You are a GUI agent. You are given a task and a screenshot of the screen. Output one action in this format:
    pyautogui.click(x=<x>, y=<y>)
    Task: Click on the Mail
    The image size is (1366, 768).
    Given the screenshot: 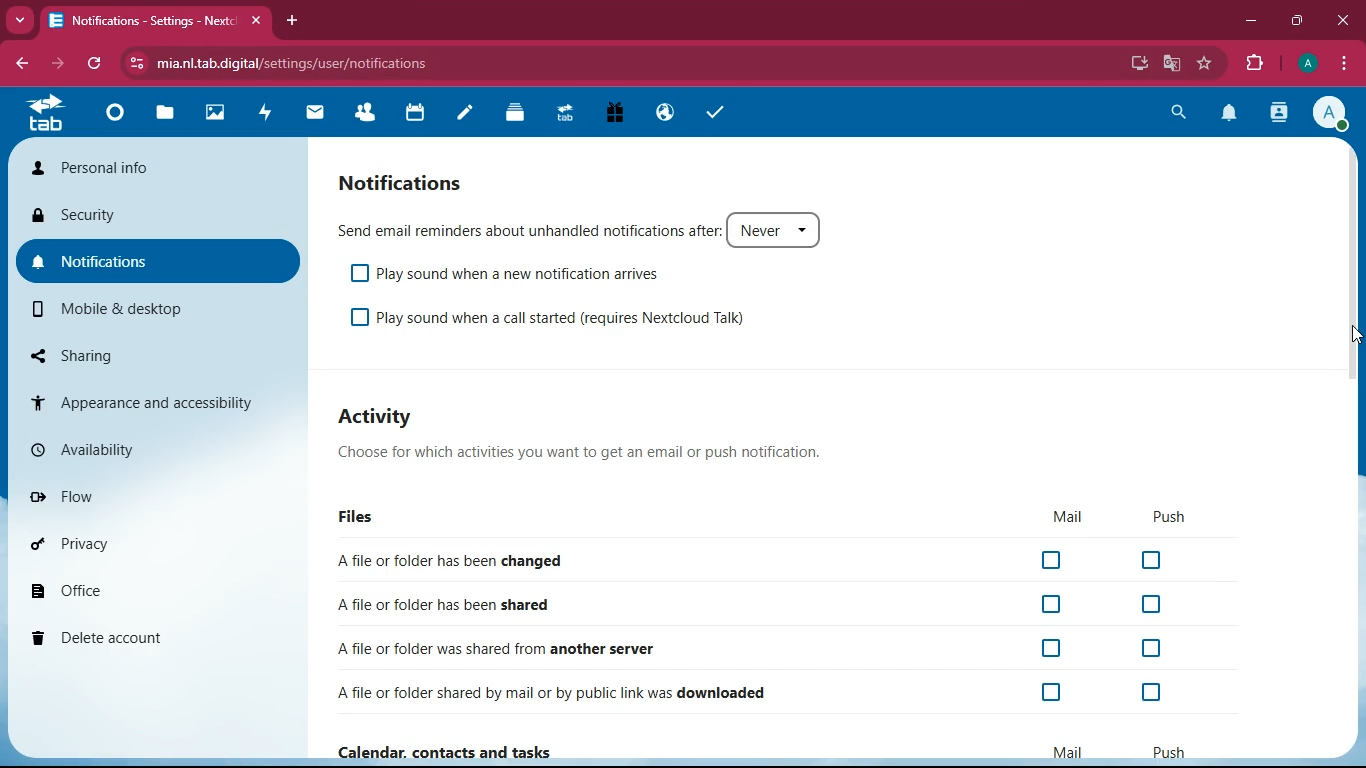 What is the action you would take?
    pyautogui.click(x=1071, y=754)
    